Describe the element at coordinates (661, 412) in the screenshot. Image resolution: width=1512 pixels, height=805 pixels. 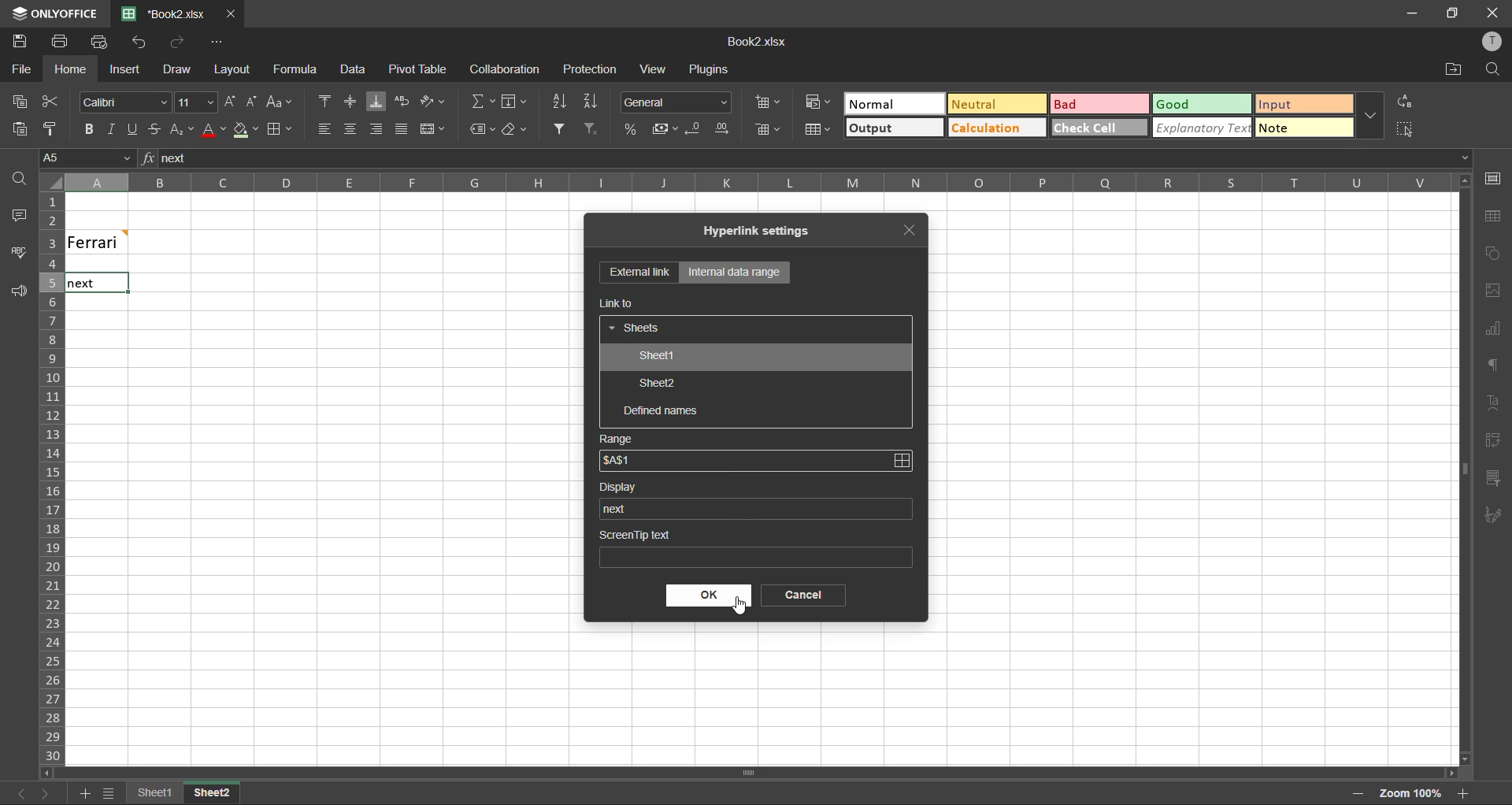
I see `defined names` at that location.